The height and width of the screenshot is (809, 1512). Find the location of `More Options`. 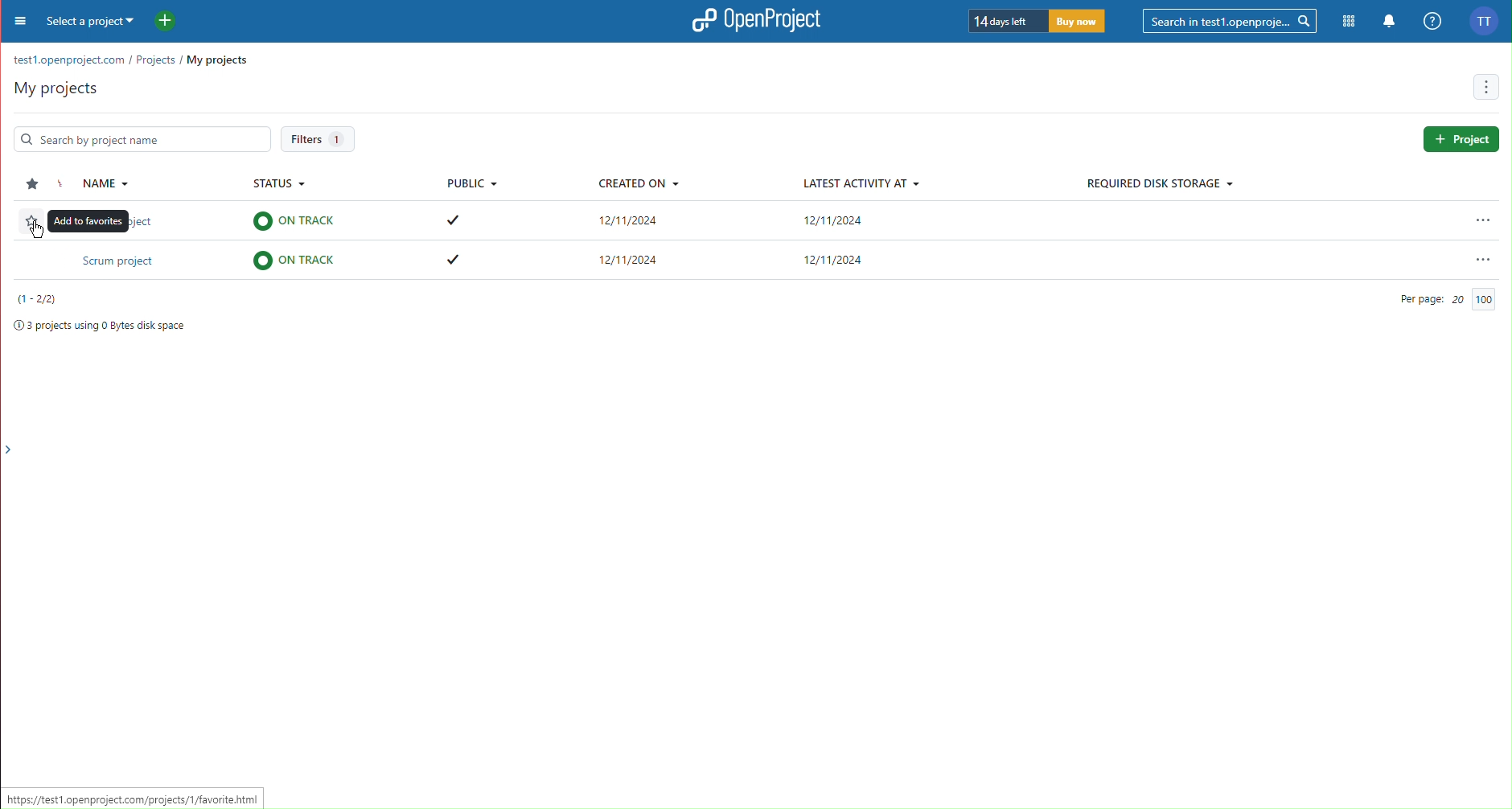

More Options is located at coordinates (1488, 87).